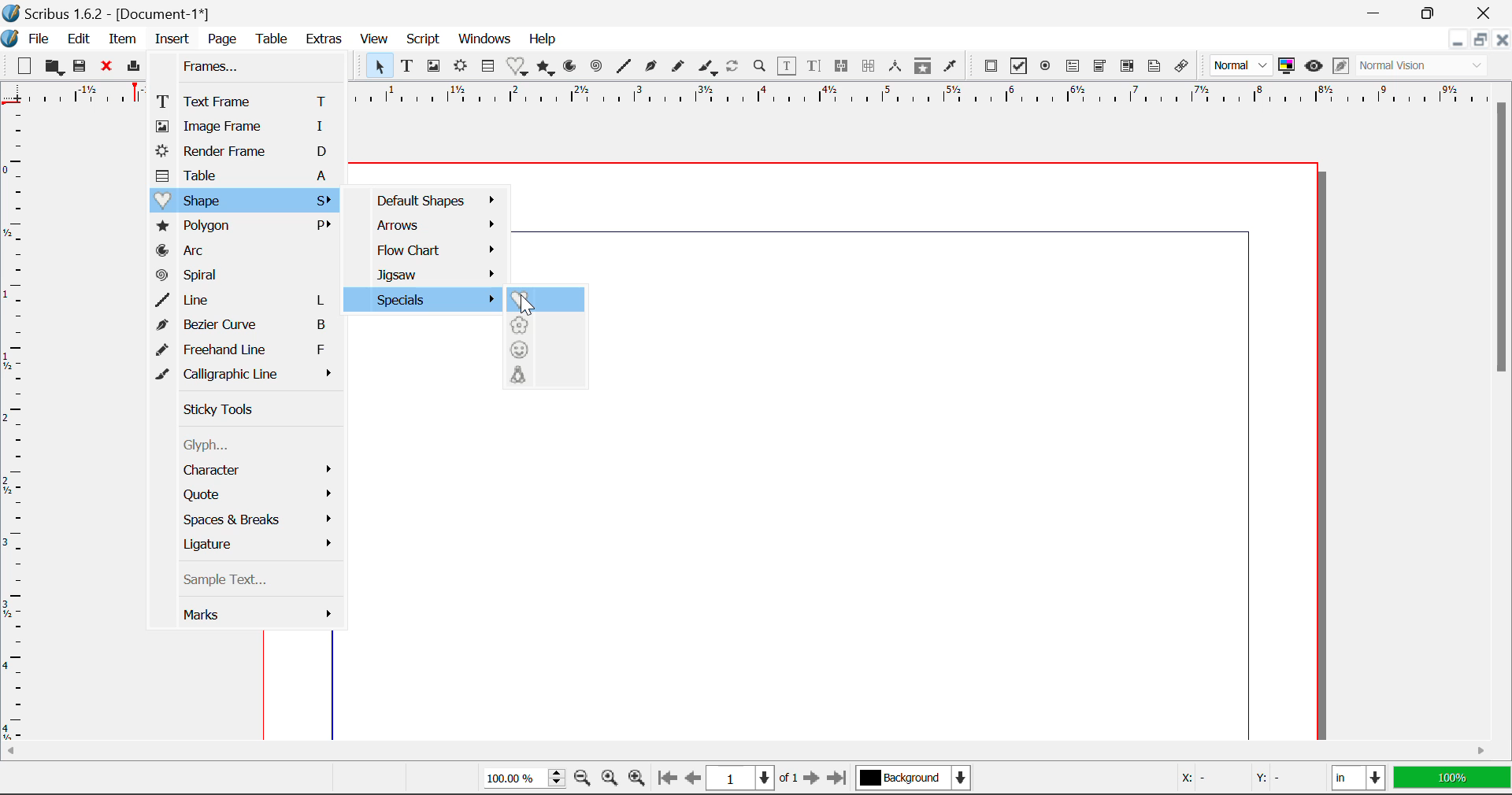 This screenshot has height=795, width=1512. Describe the element at coordinates (118, 15) in the screenshot. I see `Scribus 1.6.2 - [Document-1*]` at that location.